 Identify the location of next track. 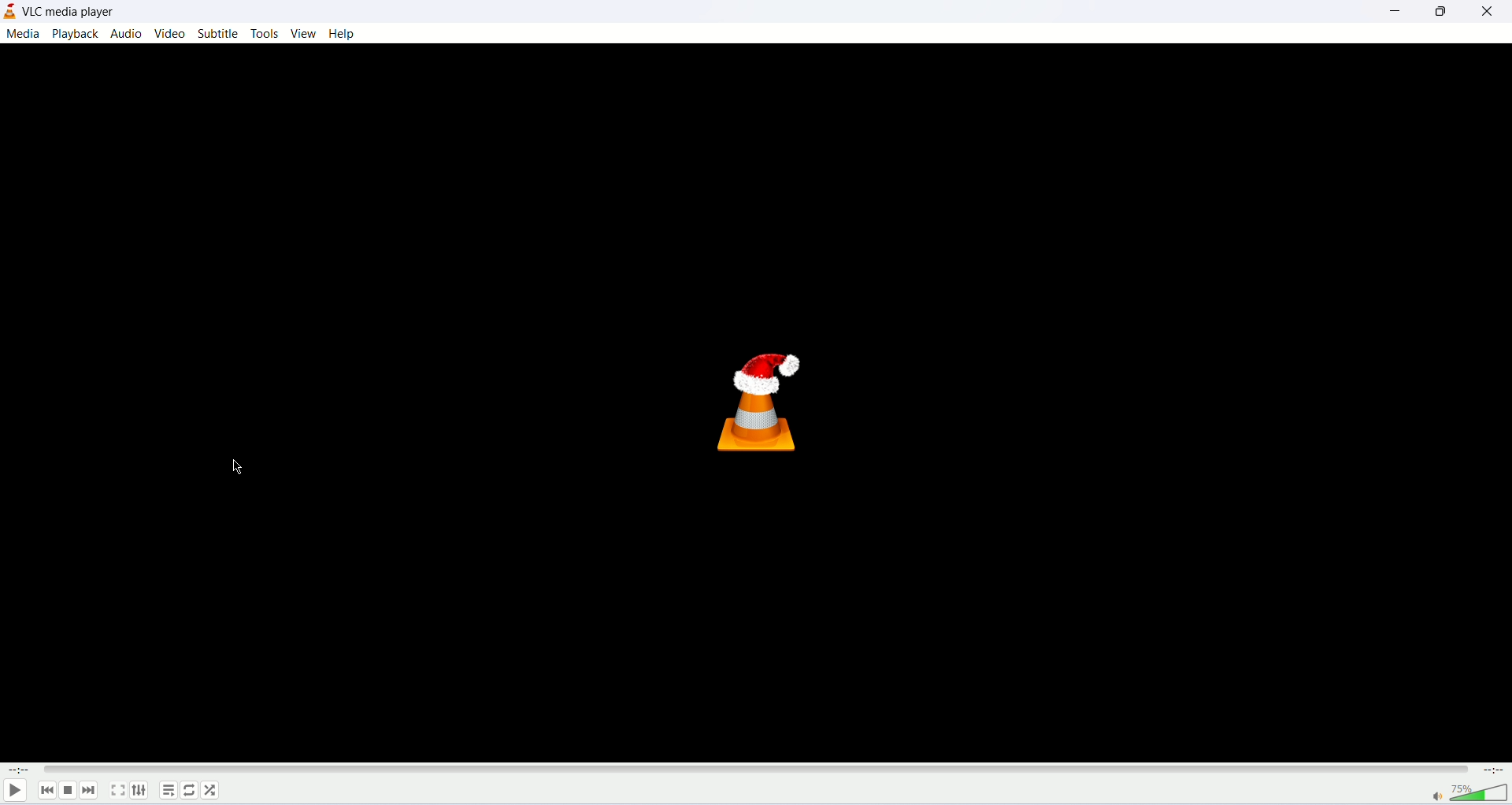
(89, 790).